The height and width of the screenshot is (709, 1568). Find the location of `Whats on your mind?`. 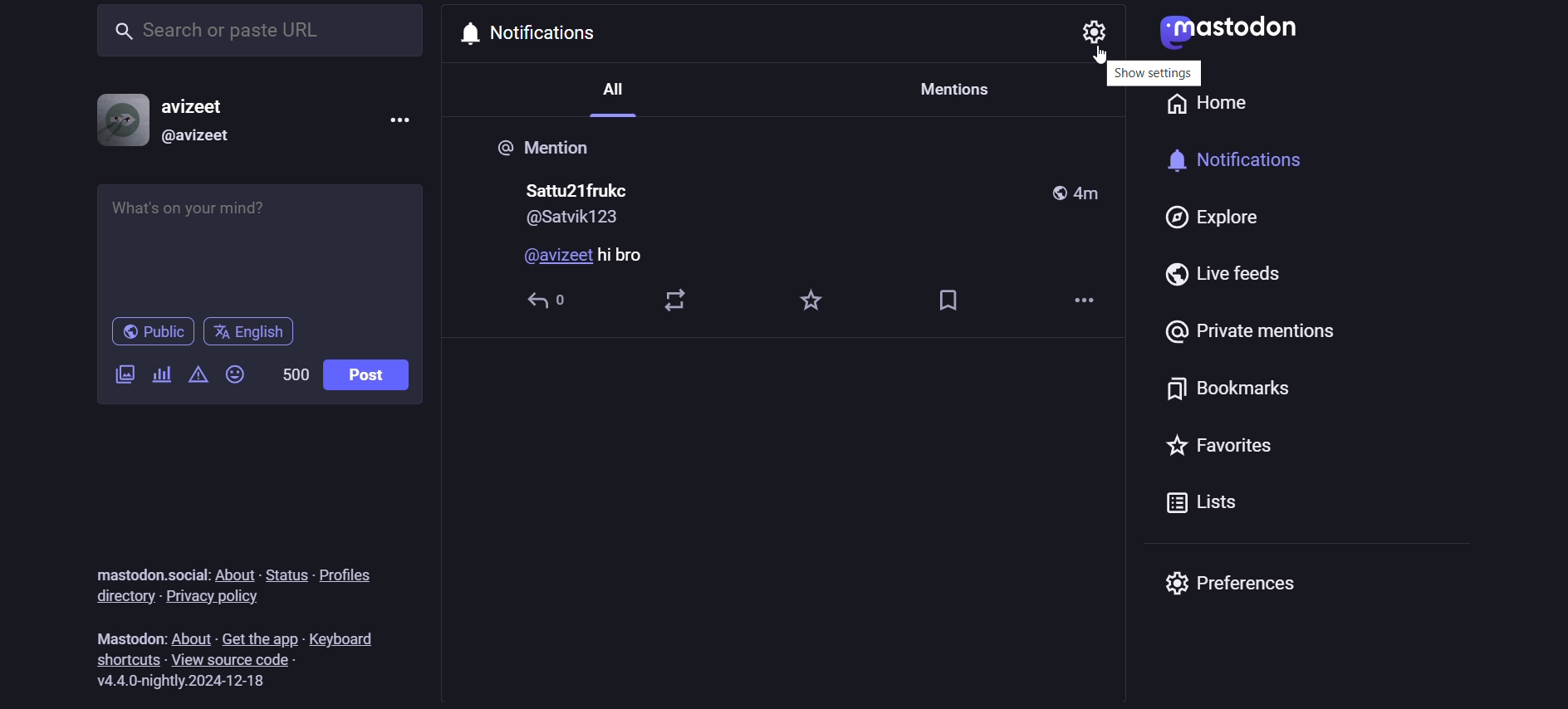

Whats on your mind? is located at coordinates (257, 242).